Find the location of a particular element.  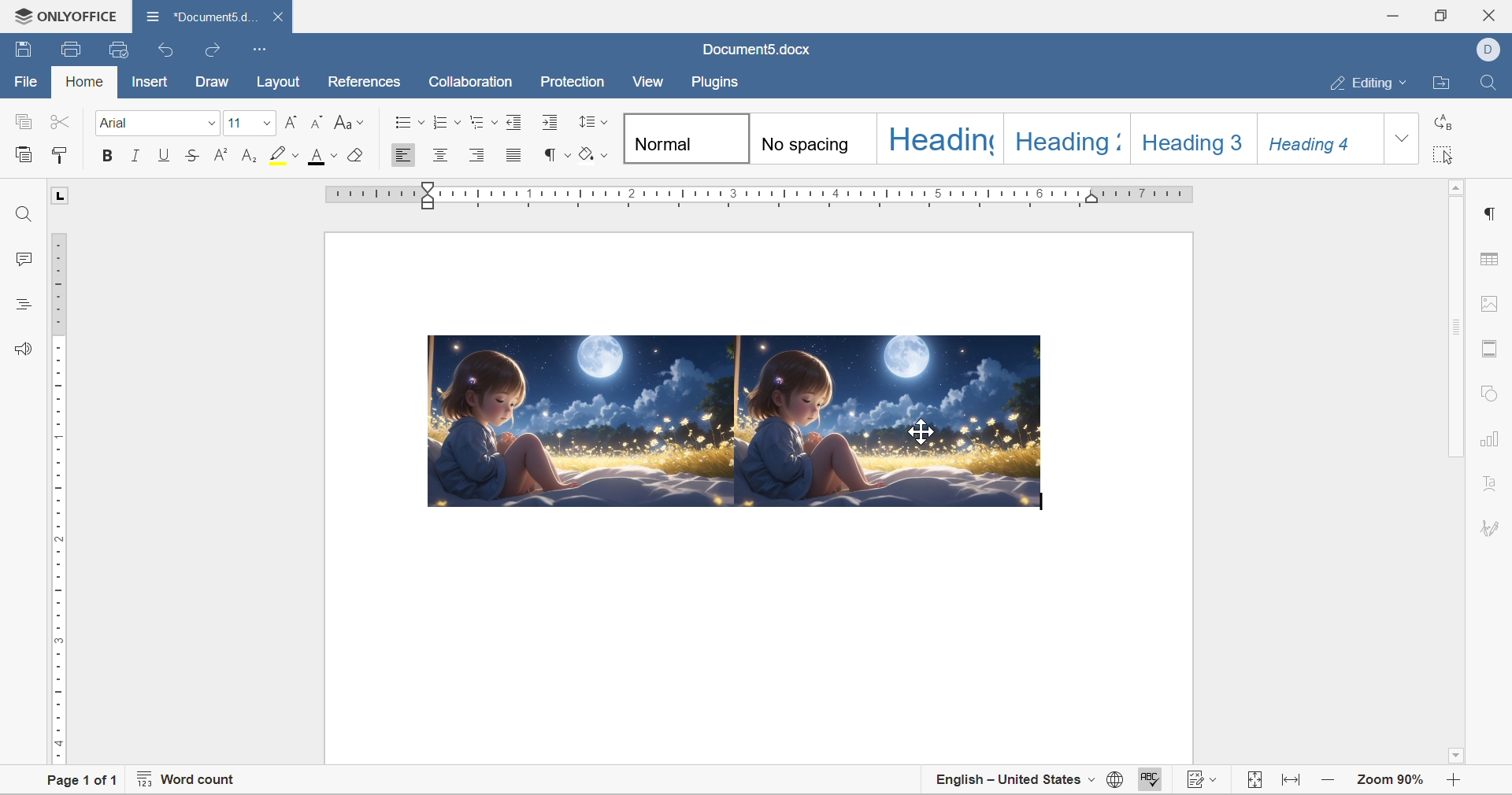

collaboration is located at coordinates (473, 83).